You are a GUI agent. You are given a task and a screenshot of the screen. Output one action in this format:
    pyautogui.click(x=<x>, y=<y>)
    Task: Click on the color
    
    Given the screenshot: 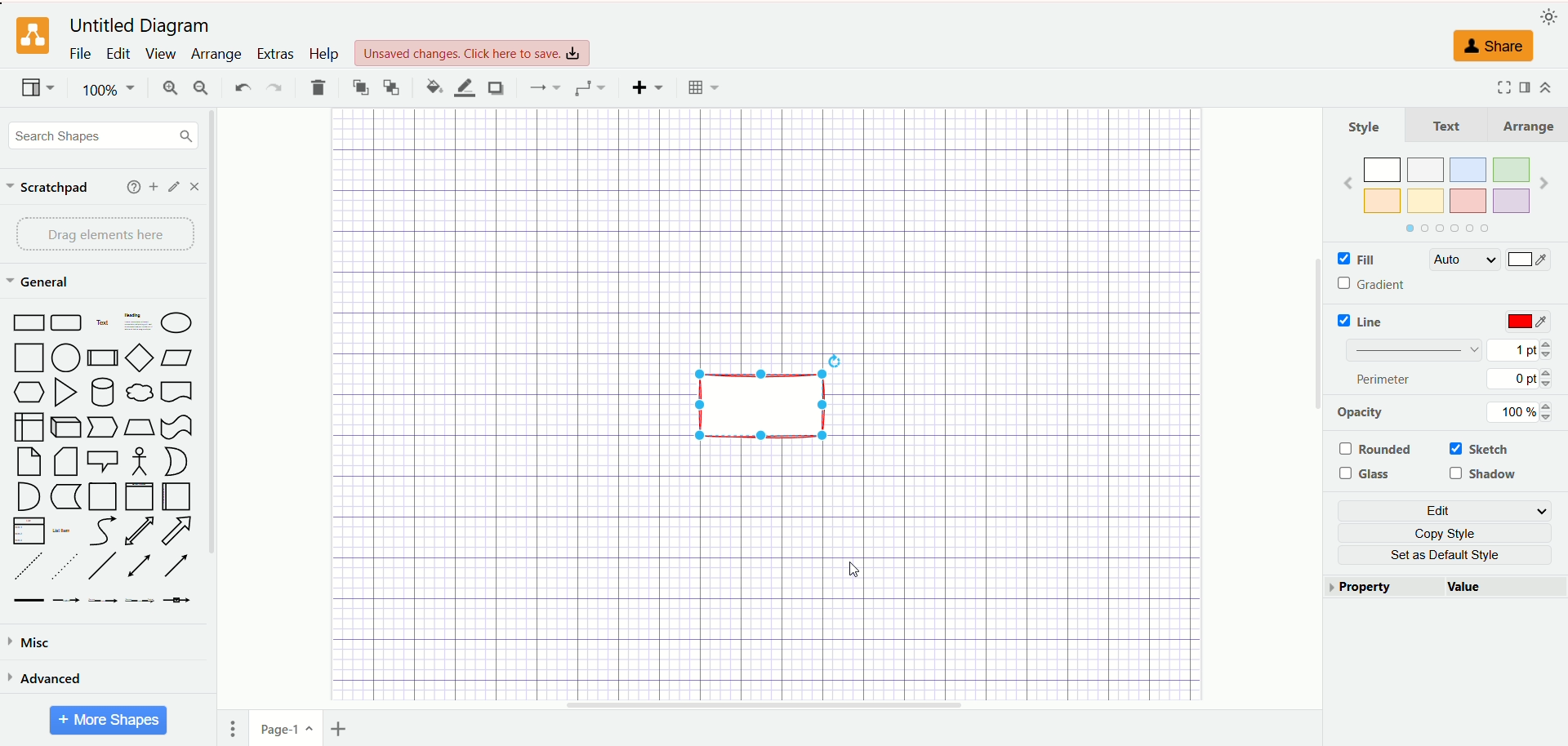 What is the action you would take?
    pyautogui.click(x=1445, y=193)
    